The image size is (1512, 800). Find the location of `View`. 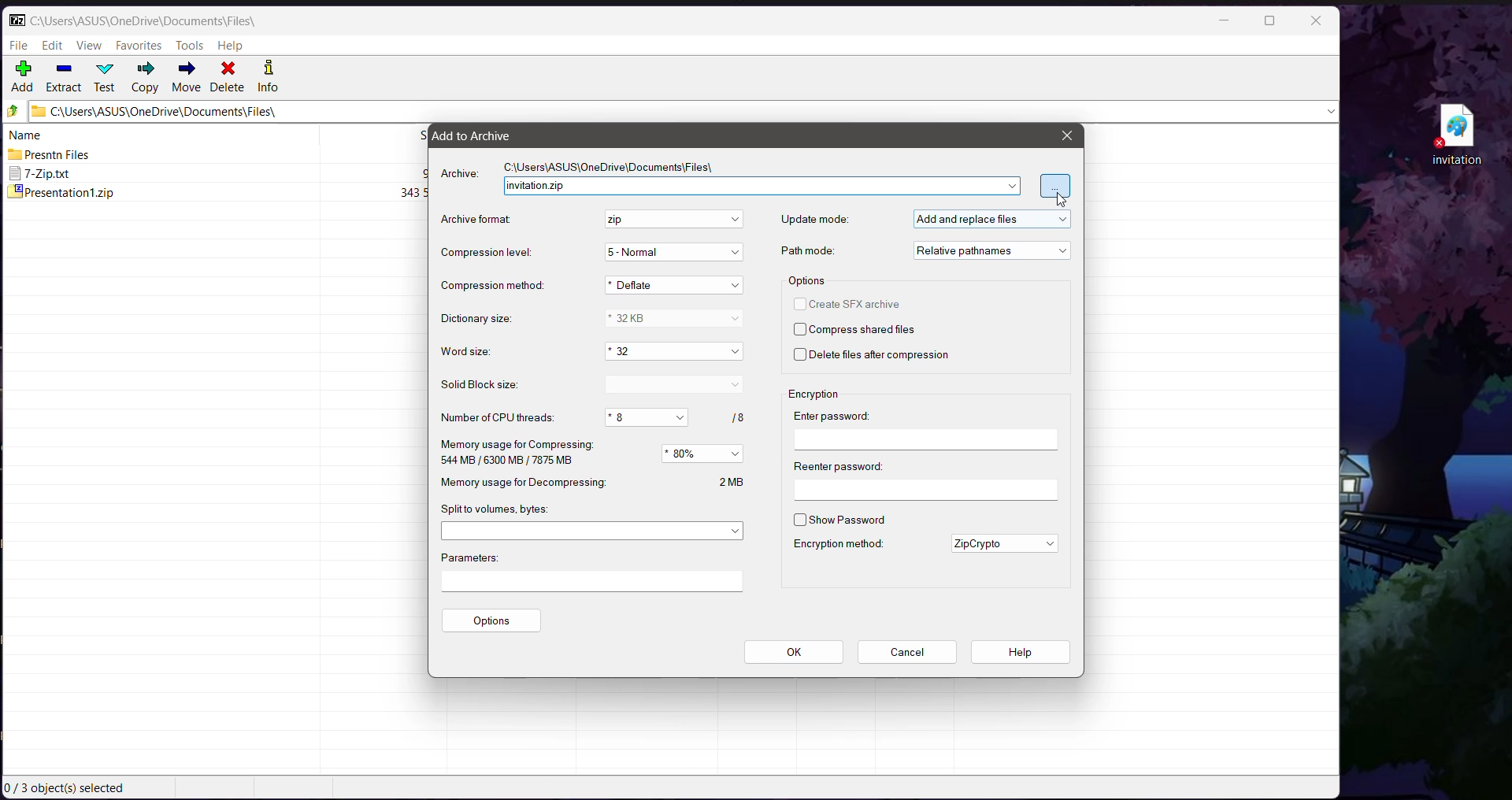

View is located at coordinates (91, 45).